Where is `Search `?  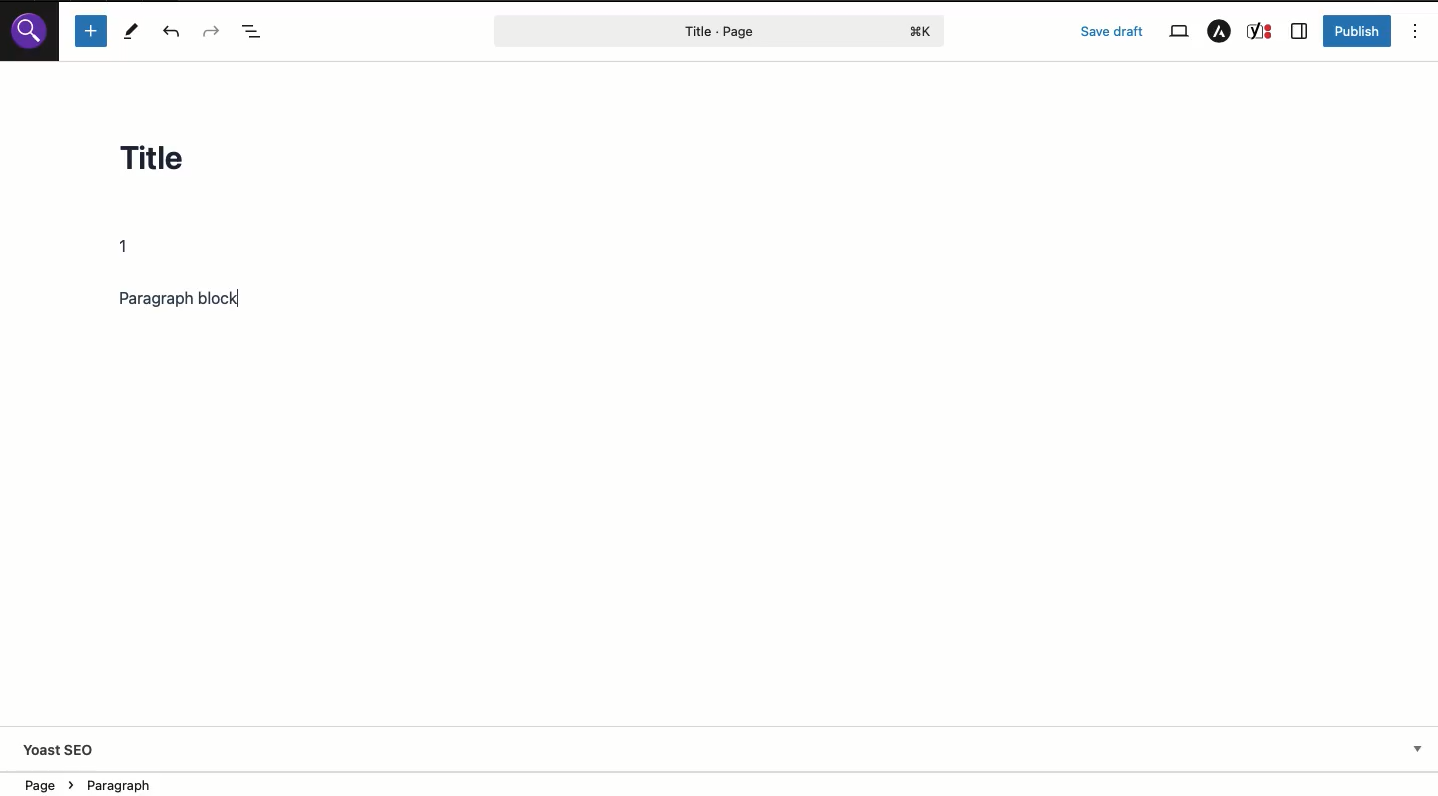
Search  is located at coordinates (29, 30).